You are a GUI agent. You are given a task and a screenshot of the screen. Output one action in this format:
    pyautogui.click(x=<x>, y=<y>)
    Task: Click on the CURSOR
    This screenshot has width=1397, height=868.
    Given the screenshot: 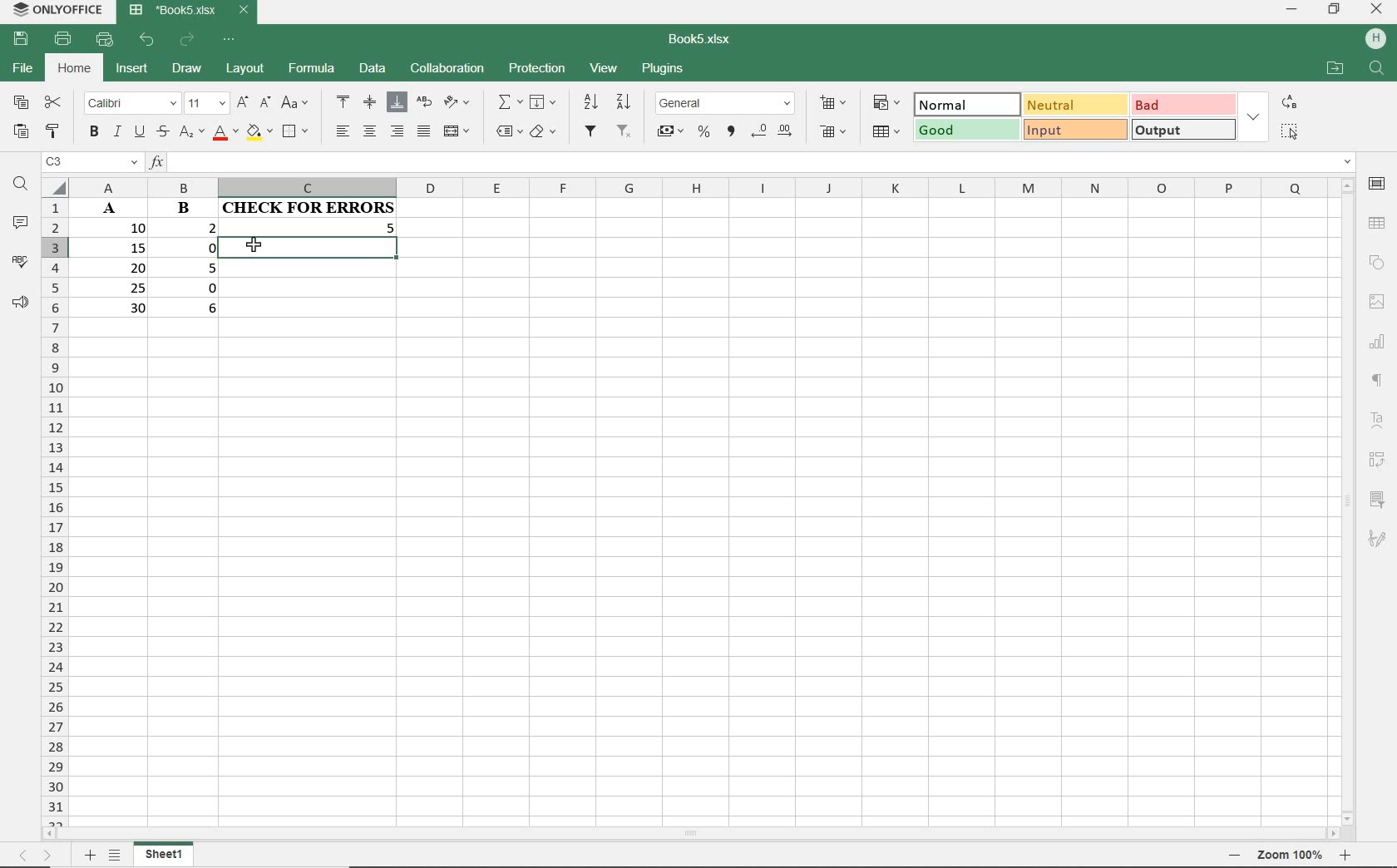 What is the action you would take?
    pyautogui.click(x=257, y=245)
    